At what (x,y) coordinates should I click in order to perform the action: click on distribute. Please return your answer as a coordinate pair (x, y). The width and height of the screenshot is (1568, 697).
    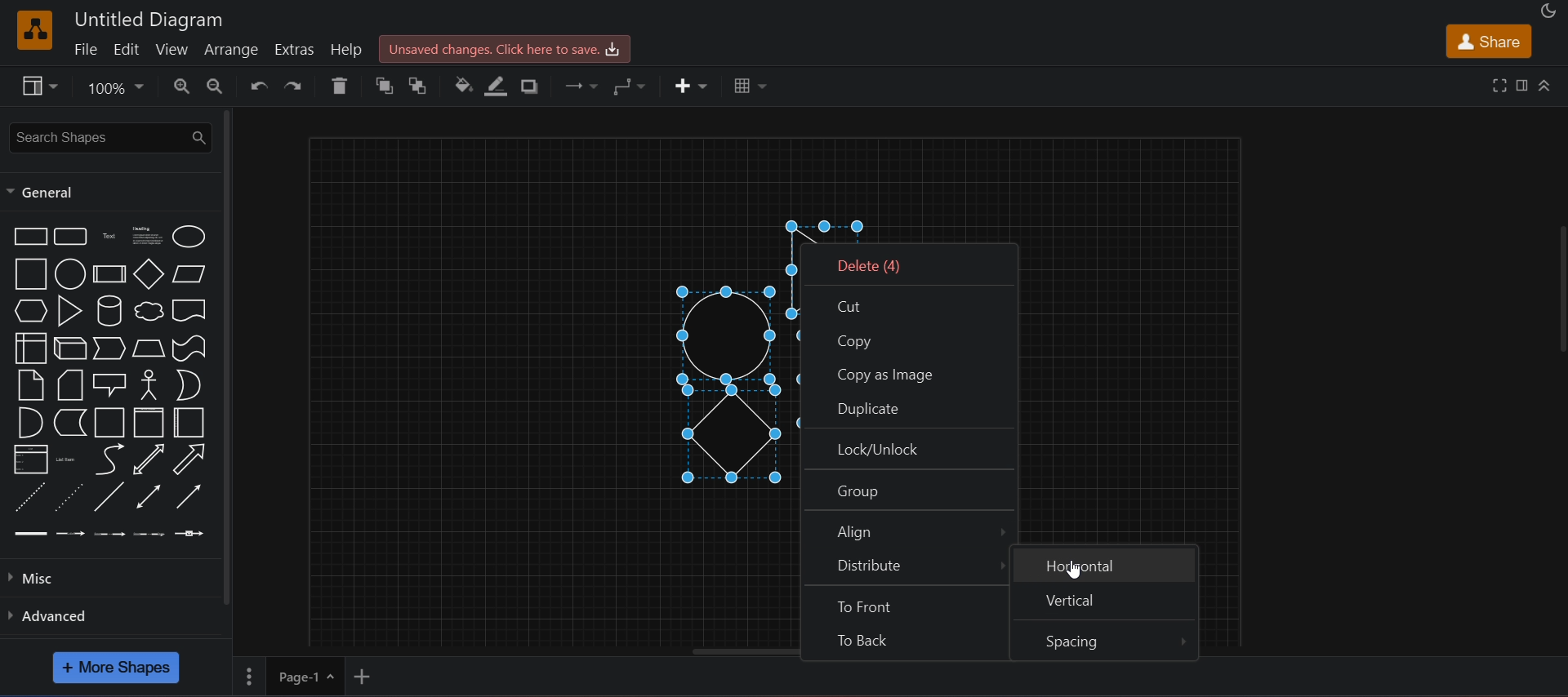
    Looking at the image, I should click on (906, 566).